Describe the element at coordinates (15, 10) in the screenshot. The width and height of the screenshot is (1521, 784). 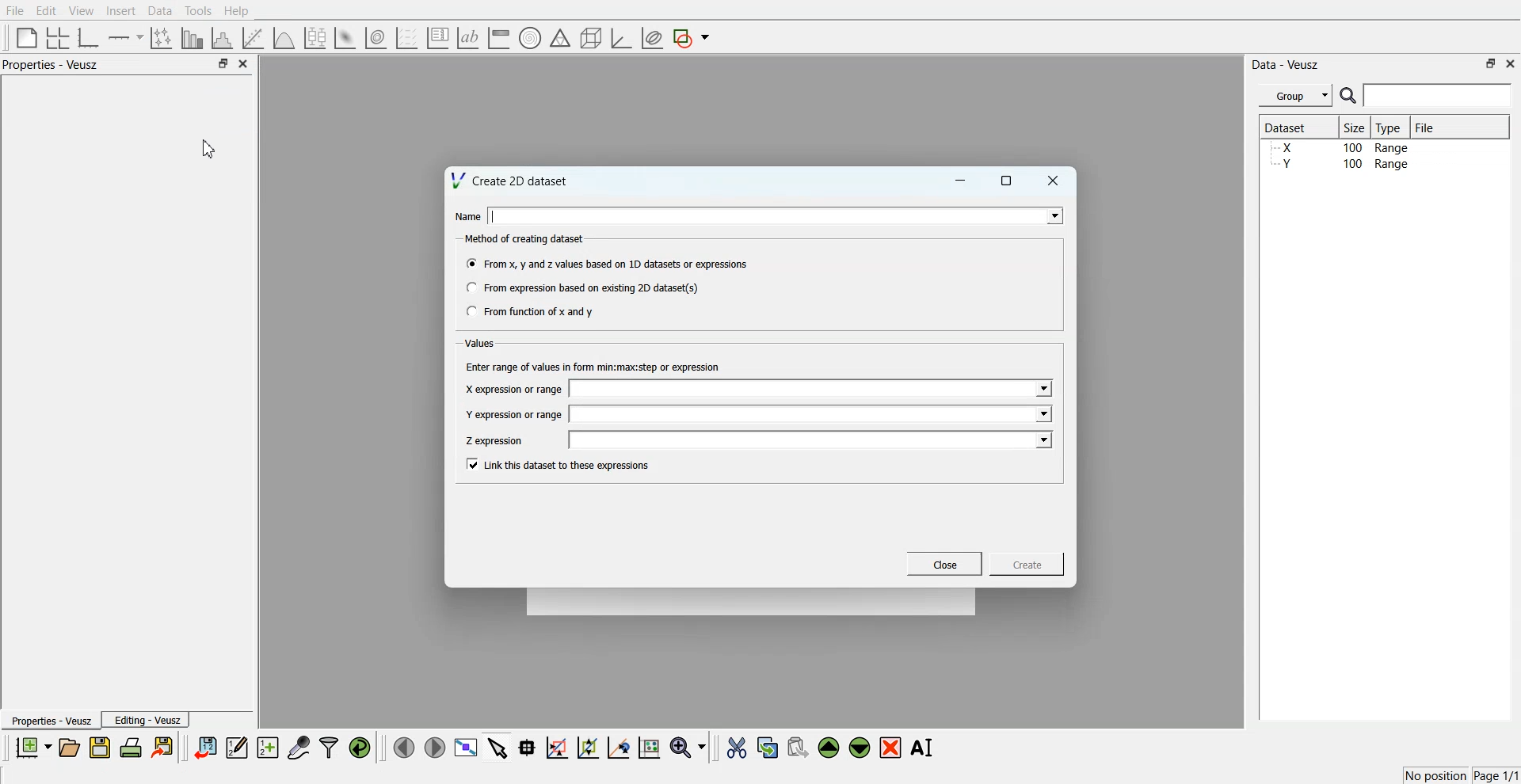
I see `File` at that location.